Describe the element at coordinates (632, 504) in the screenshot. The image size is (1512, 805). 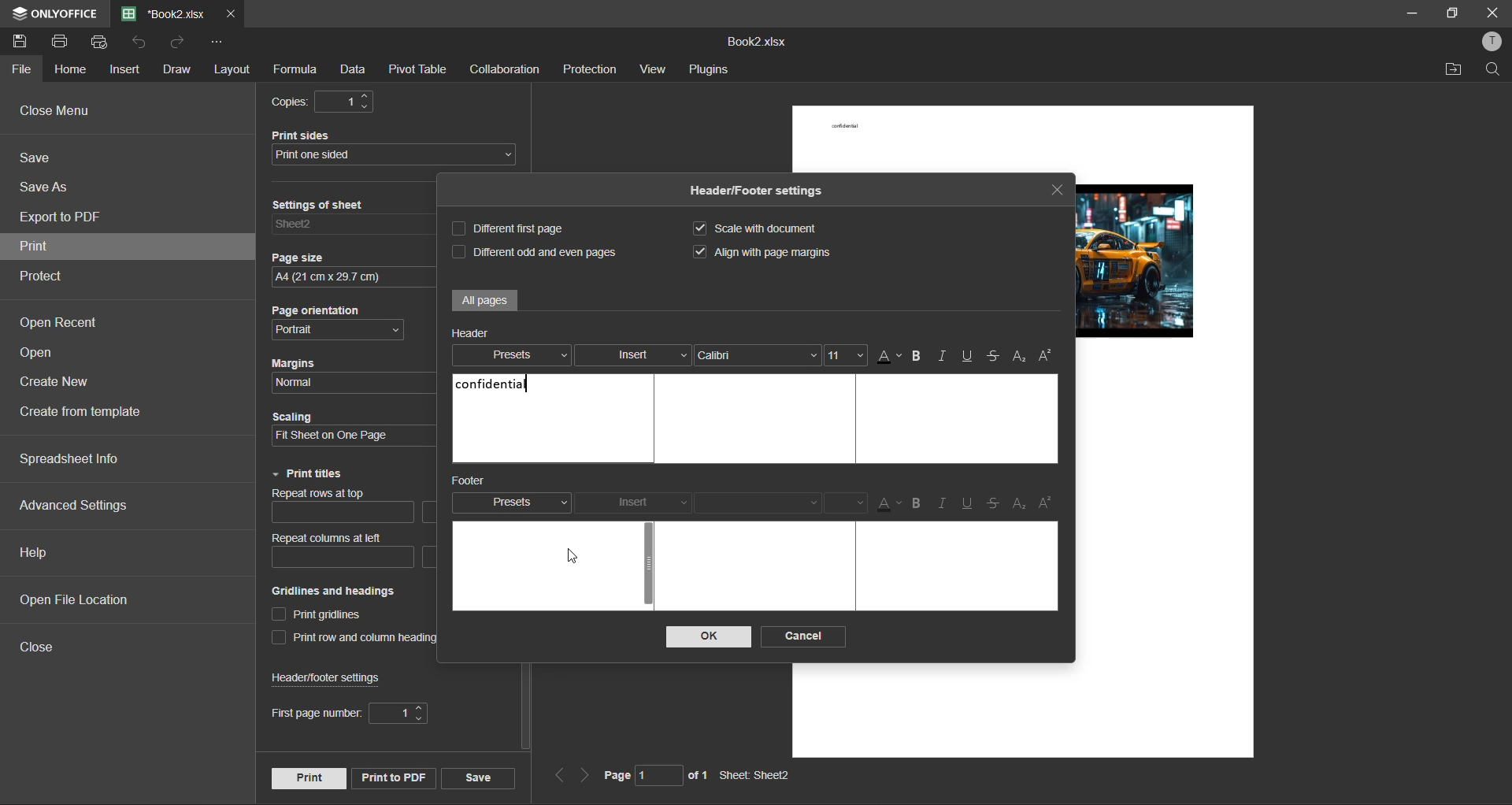
I see `insert` at that location.